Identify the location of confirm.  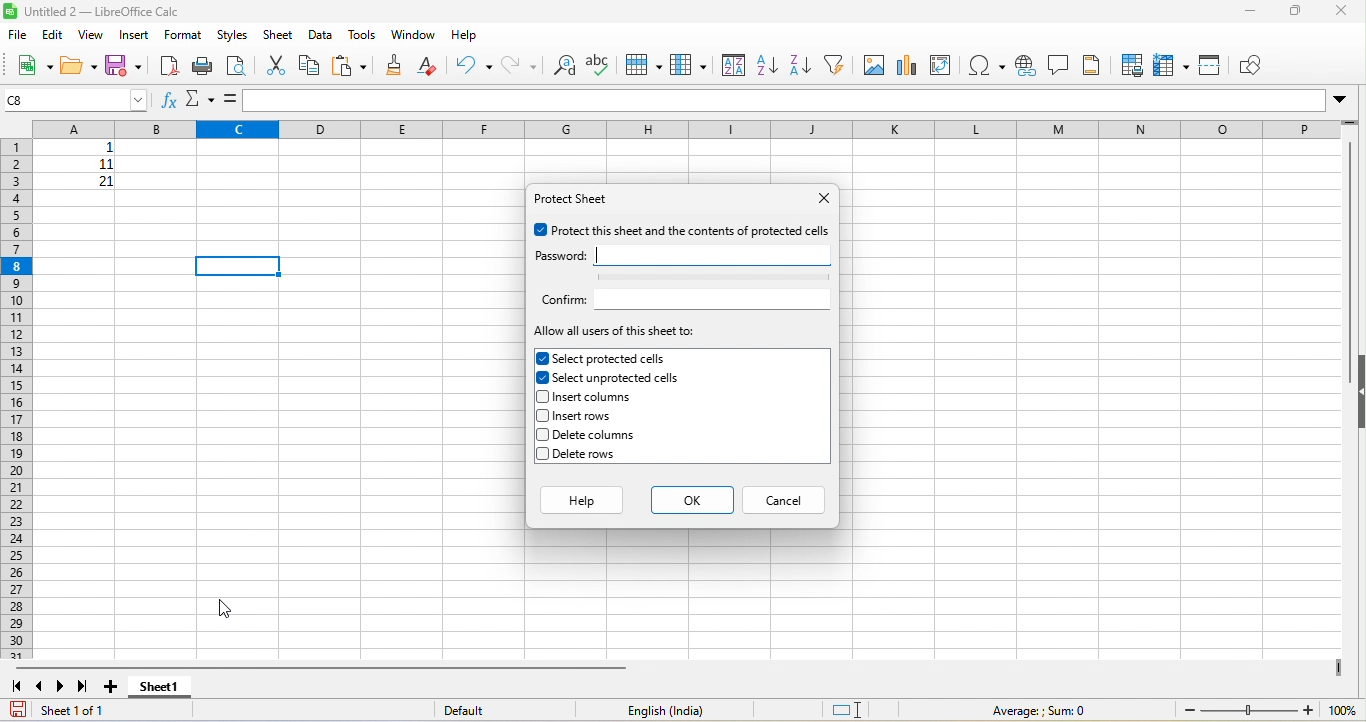
(564, 299).